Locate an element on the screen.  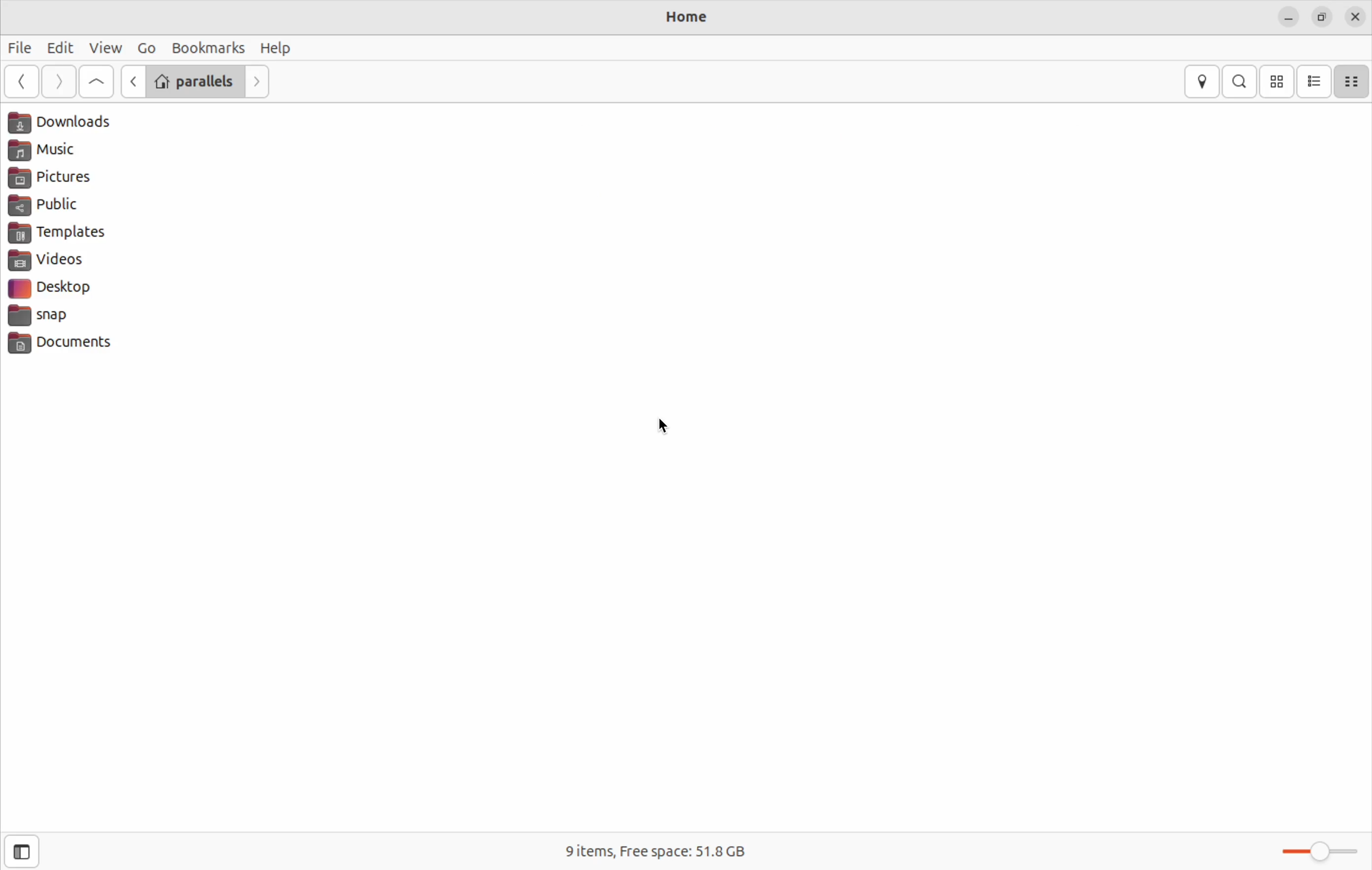
Go next is located at coordinates (60, 82).